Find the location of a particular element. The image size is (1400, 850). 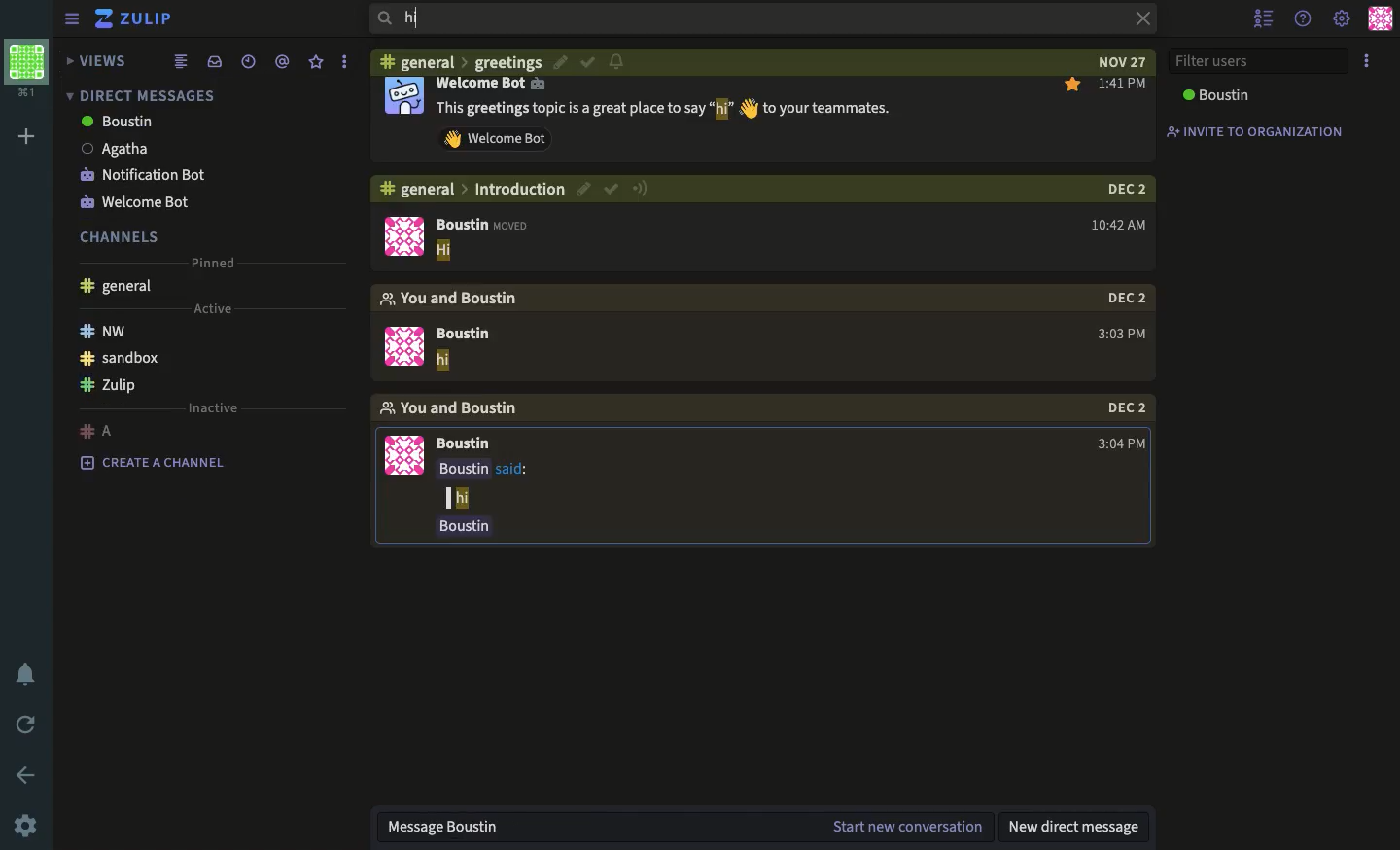

mark as finished is located at coordinates (612, 188).